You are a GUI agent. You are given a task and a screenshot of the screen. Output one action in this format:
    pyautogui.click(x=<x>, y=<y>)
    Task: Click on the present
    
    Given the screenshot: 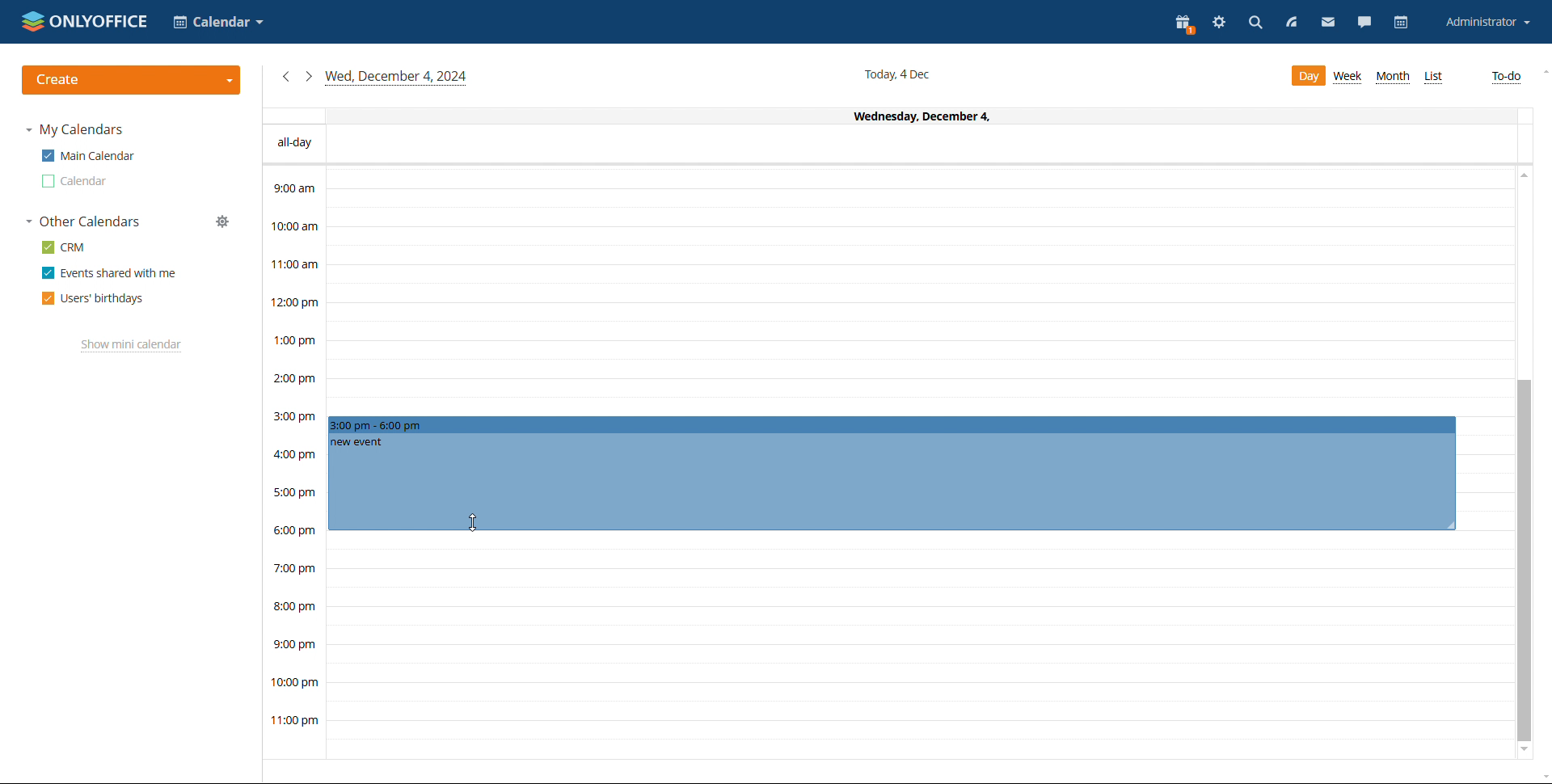 What is the action you would take?
    pyautogui.click(x=1183, y=23)
    